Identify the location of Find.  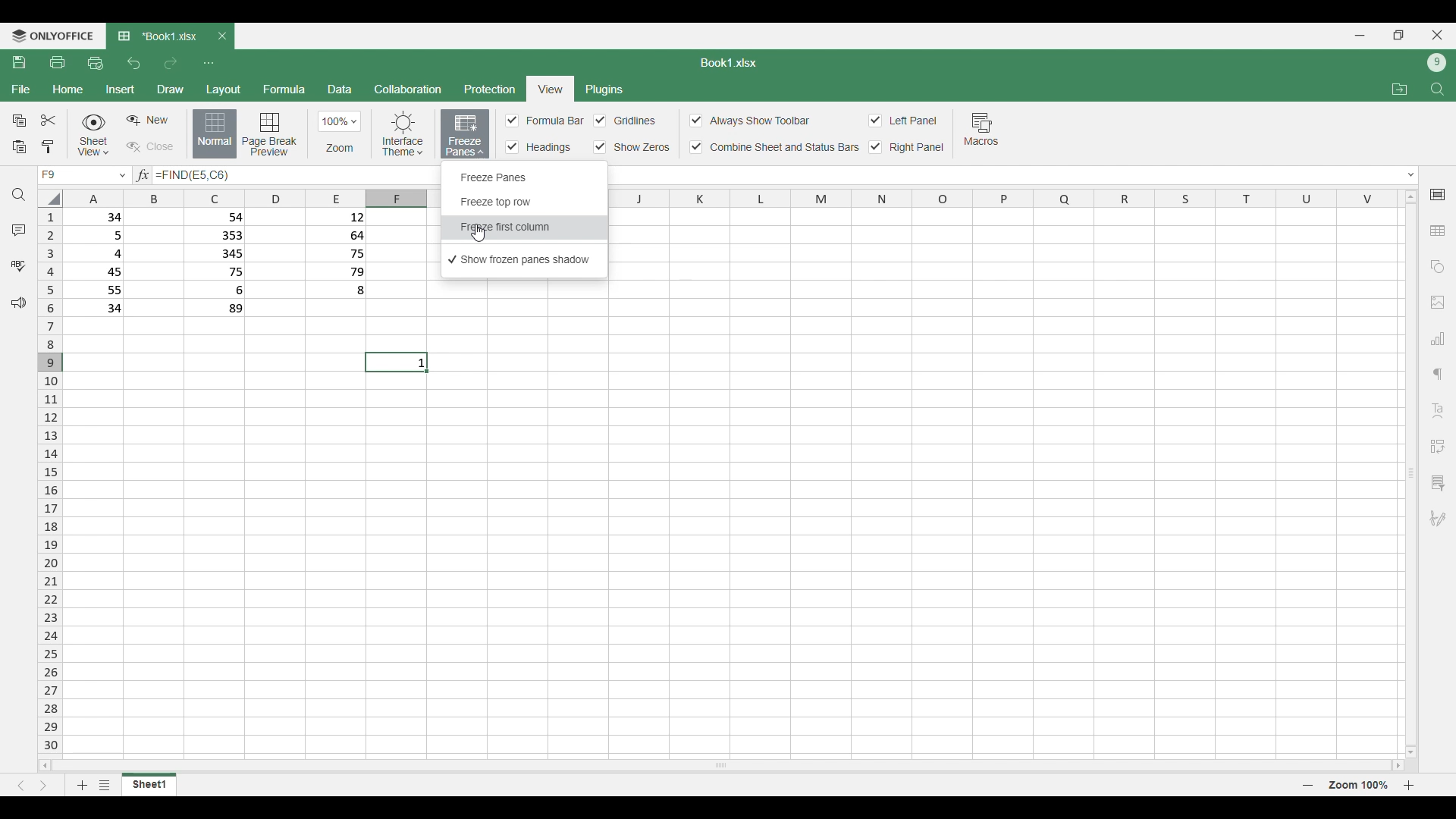
(1438, 89).